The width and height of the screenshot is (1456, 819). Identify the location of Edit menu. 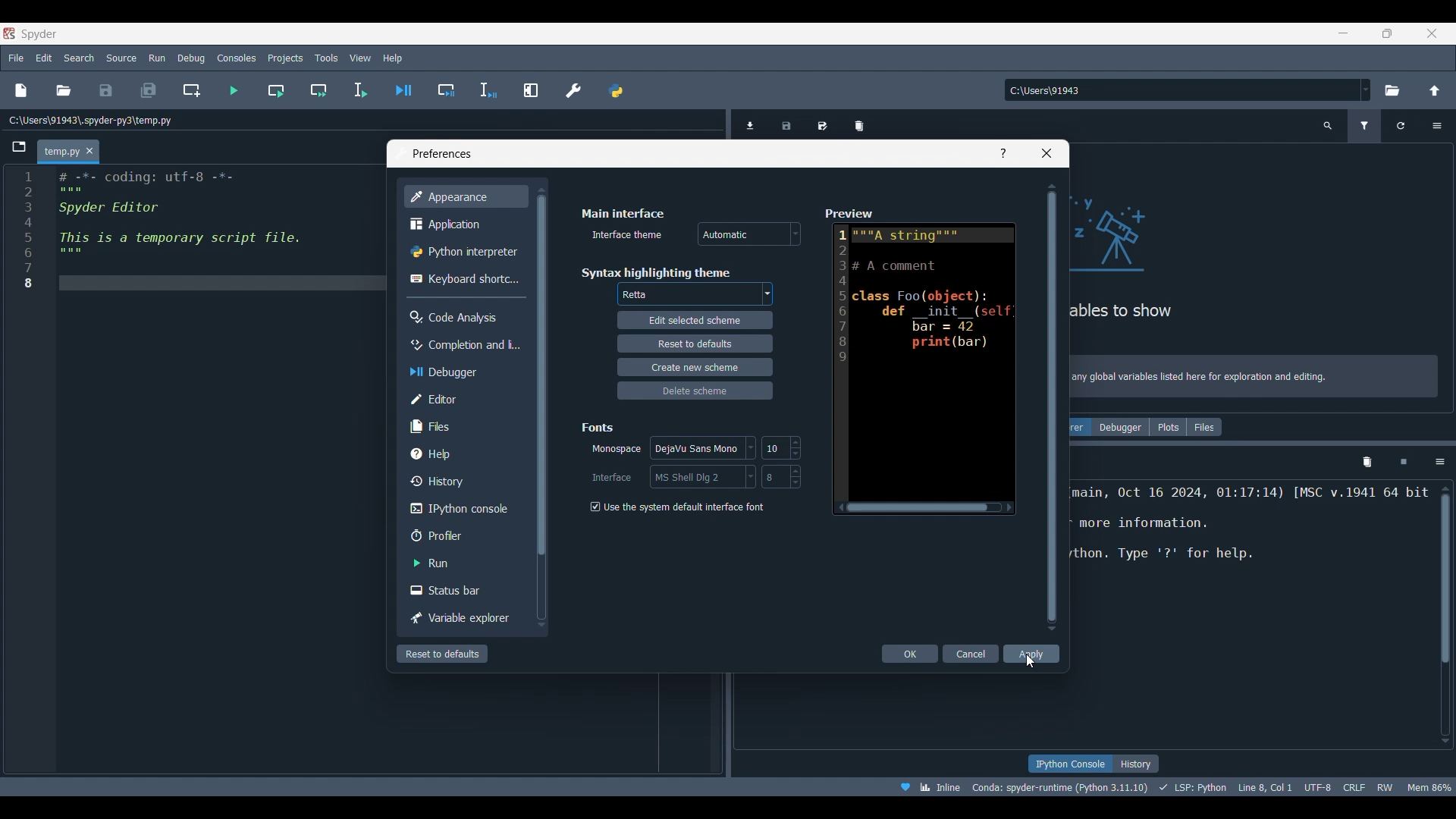
(43, 58).